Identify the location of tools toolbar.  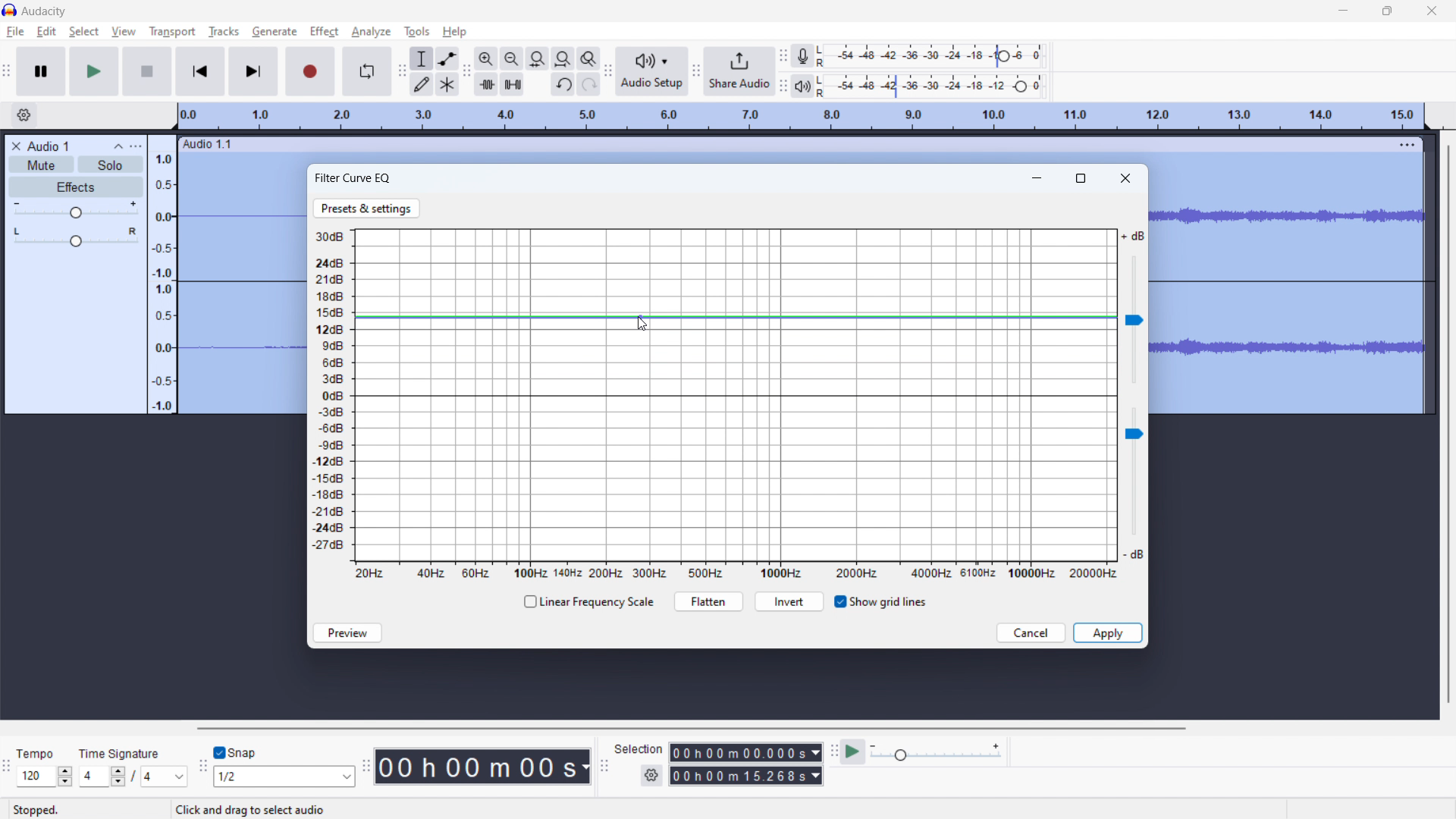
(400, 71).